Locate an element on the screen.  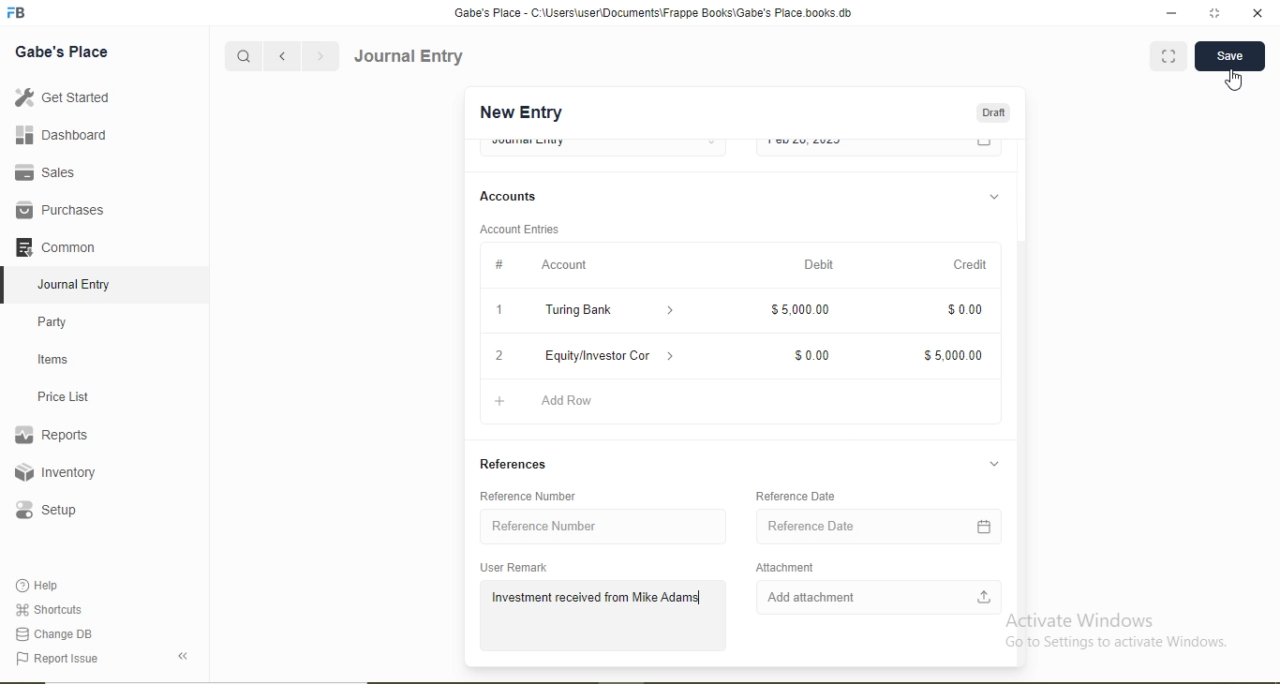
full screen is located at coordinates (1215, 13).